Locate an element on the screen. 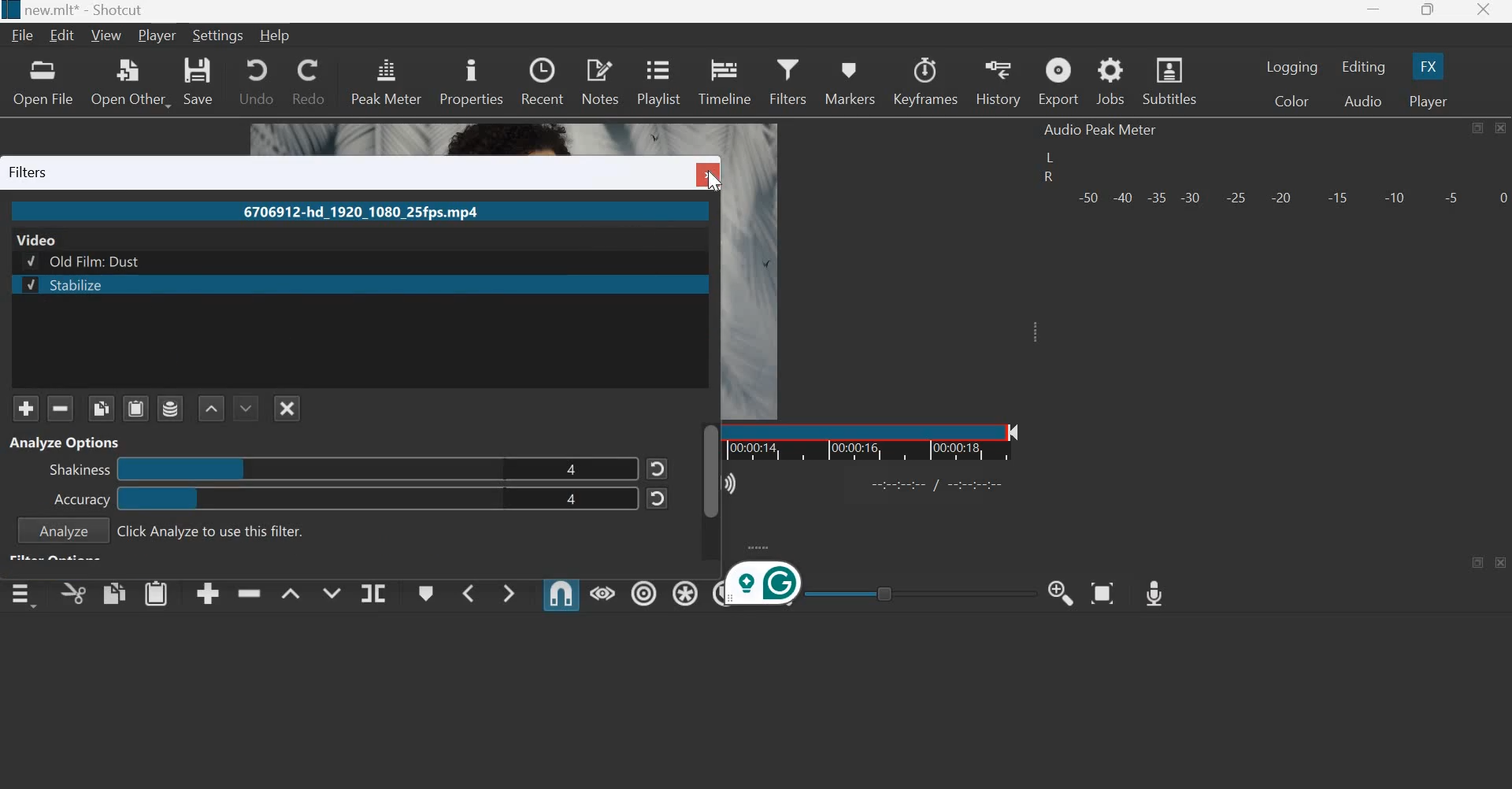 The image size is (1512, 789). Open other is located at coordinates (132, 82).